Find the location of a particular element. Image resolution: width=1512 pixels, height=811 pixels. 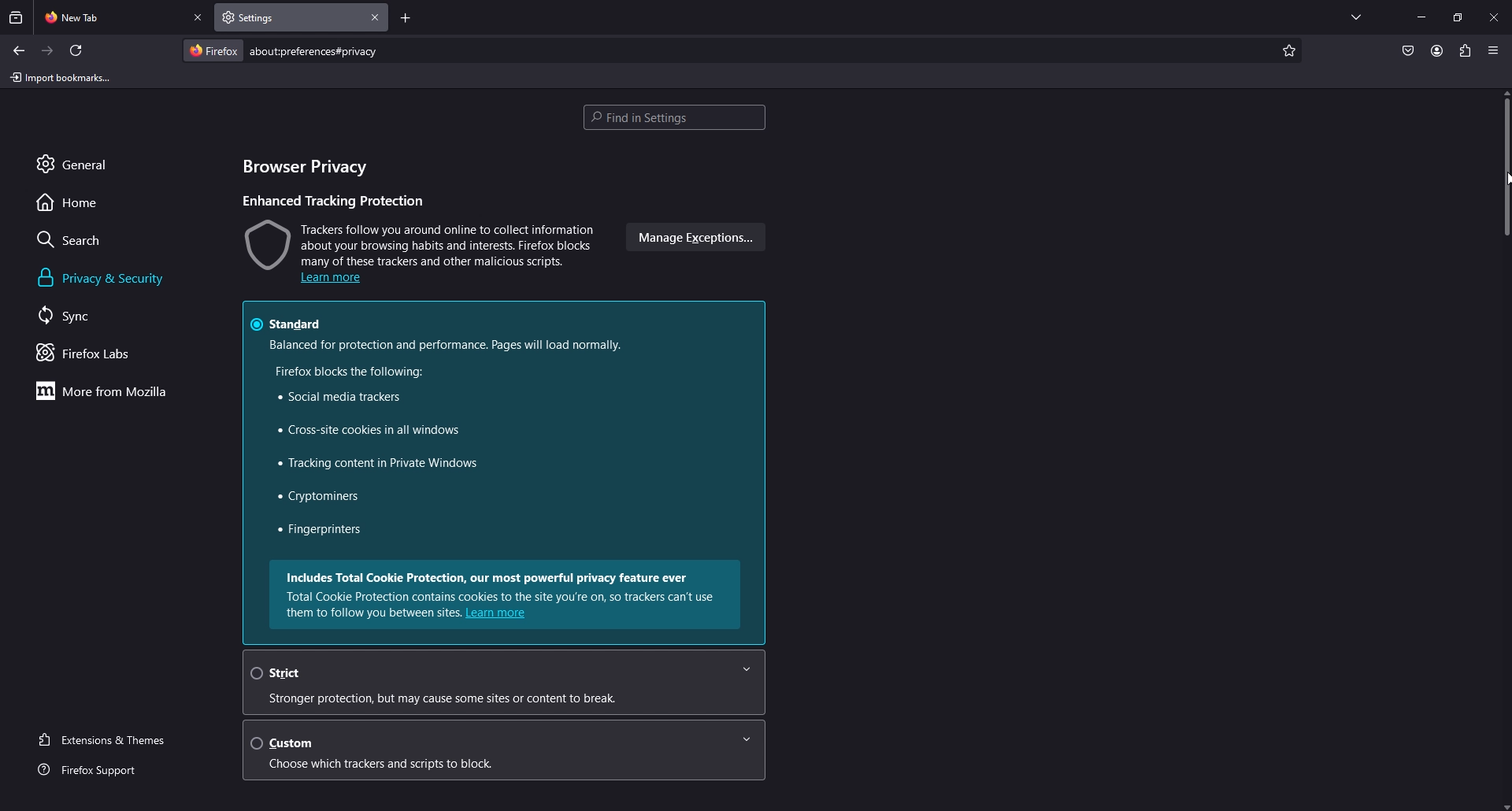

firefox labs is located at coordinates (106, 353).